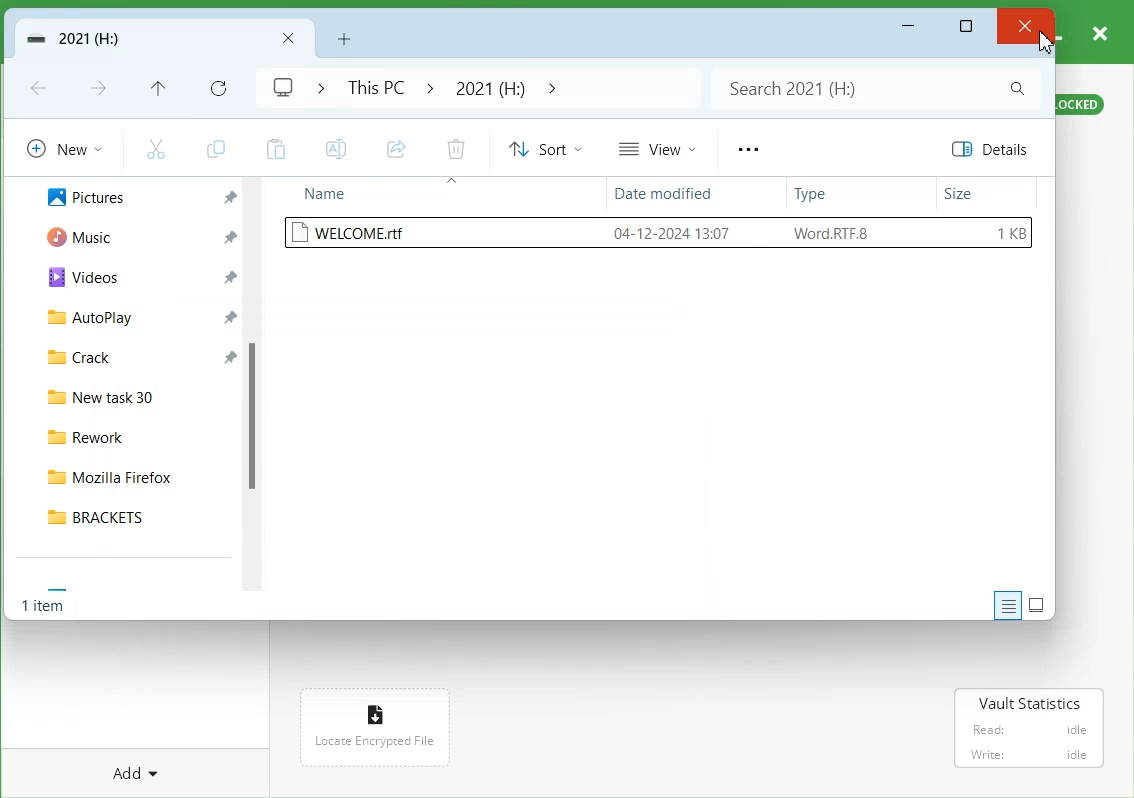 The width and height of the screenshot is (1134, 798). I want to click on Share, so click(395, 148).